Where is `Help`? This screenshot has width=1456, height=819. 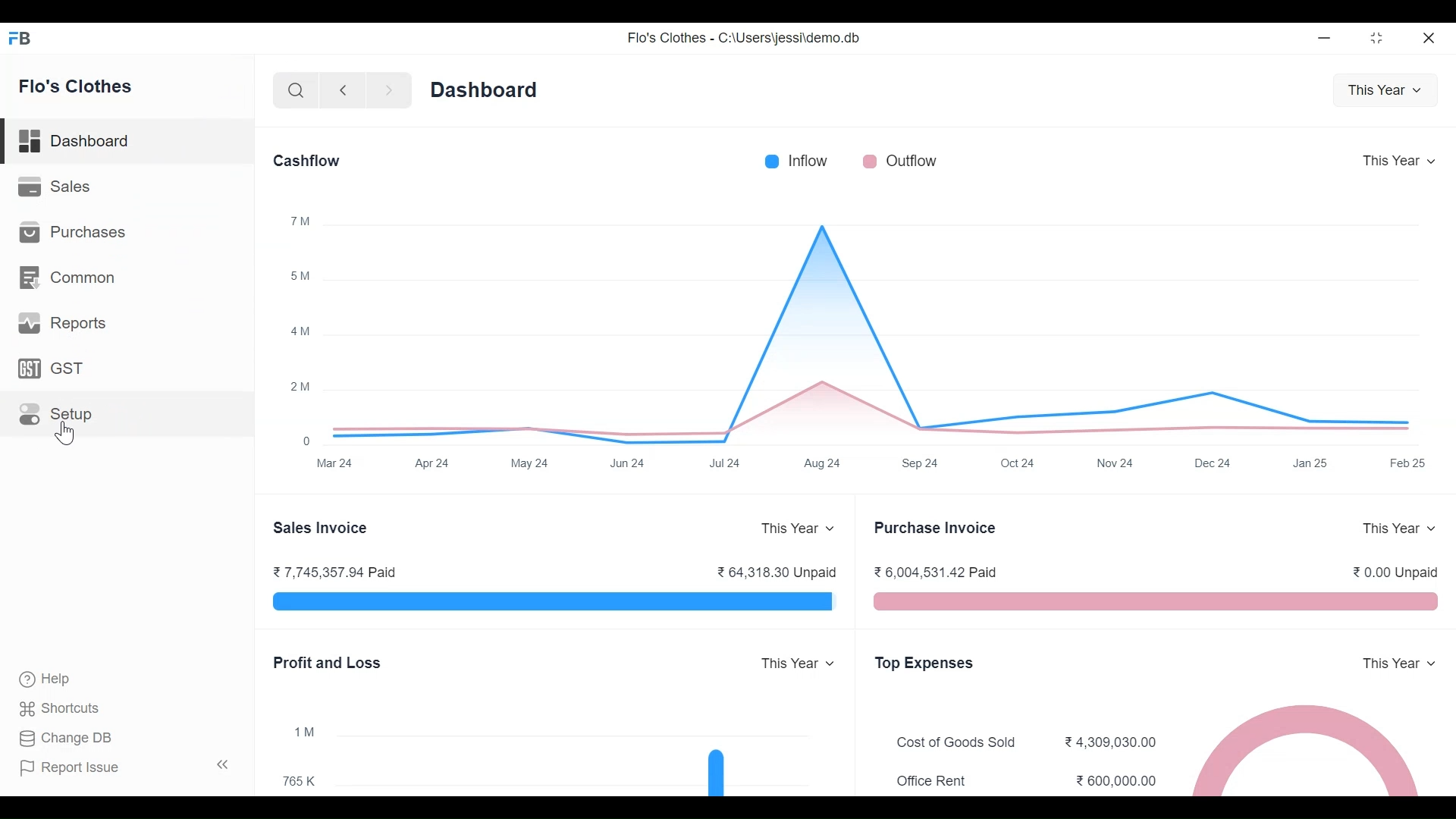 Help is located at coordinates (47, 677).